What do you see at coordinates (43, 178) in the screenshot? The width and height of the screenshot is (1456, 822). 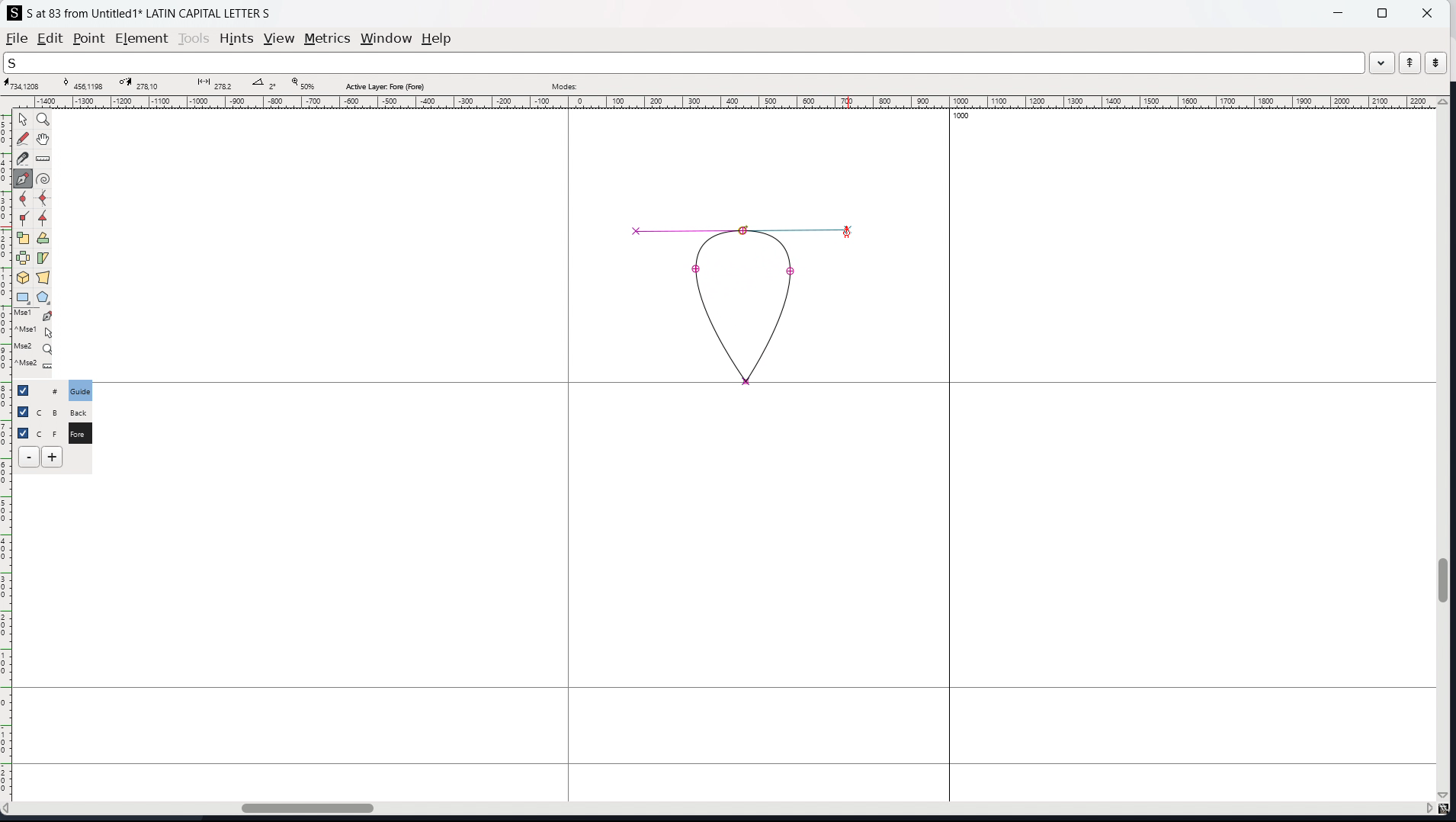 I see `toggle spiro` at bounding box center [43, 178].